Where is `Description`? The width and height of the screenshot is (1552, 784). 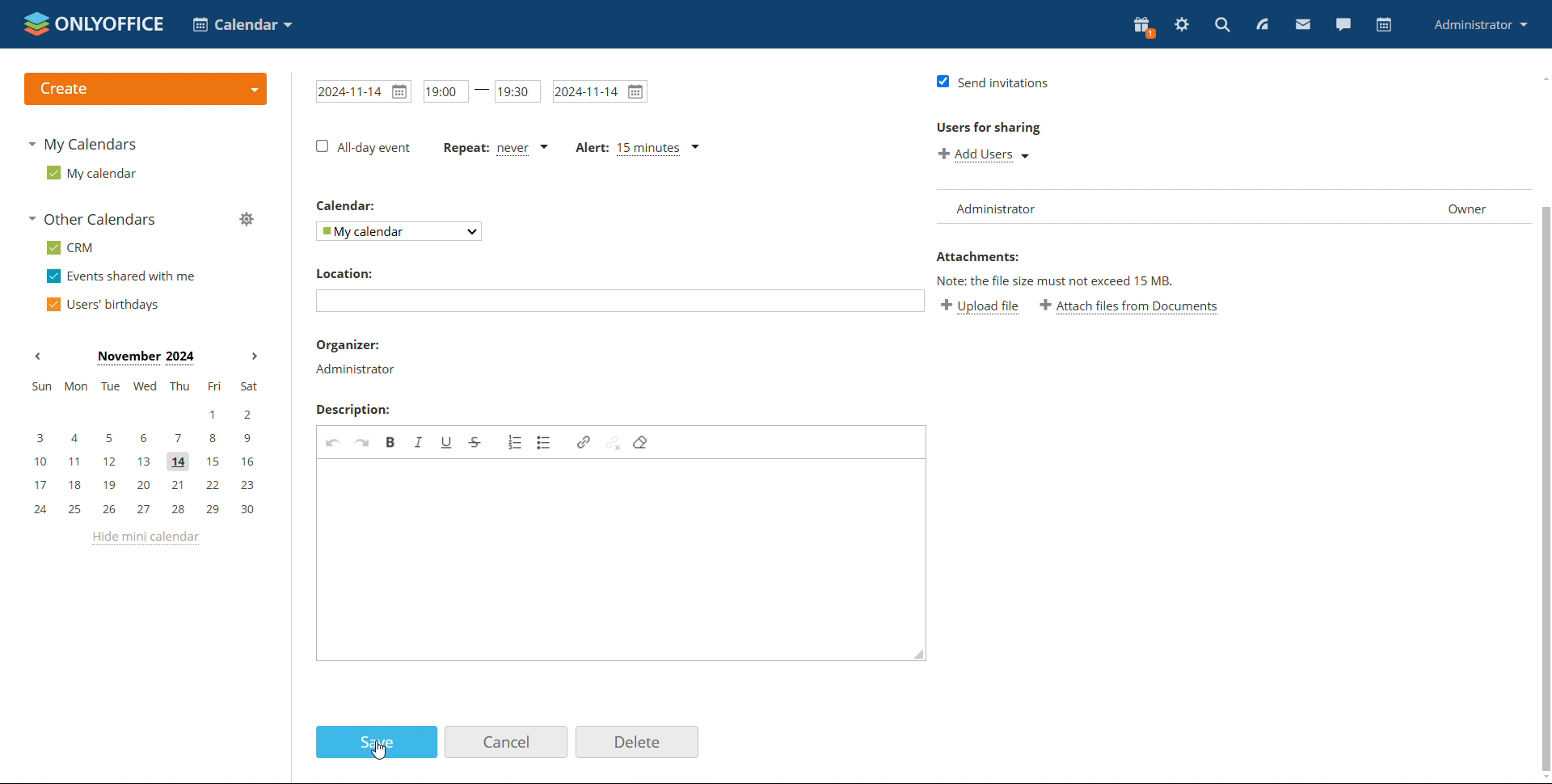
Description is located at coordinates (352, 409).